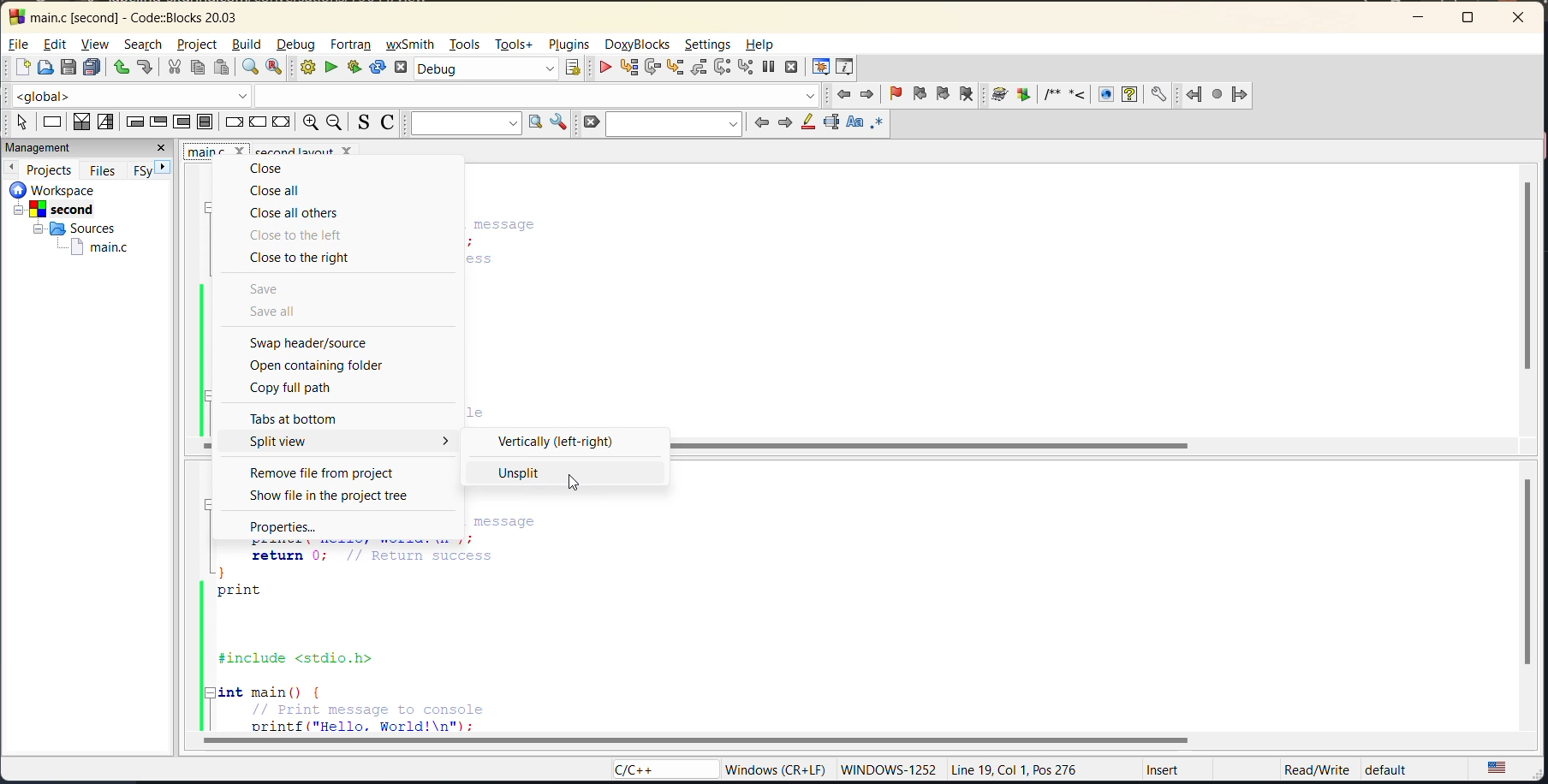 The width and height of the screenshot is (1548, 784). What do you see at coordinates (653, 68) in the screenshot?
I see `next line` at bounding box center [653, 68].